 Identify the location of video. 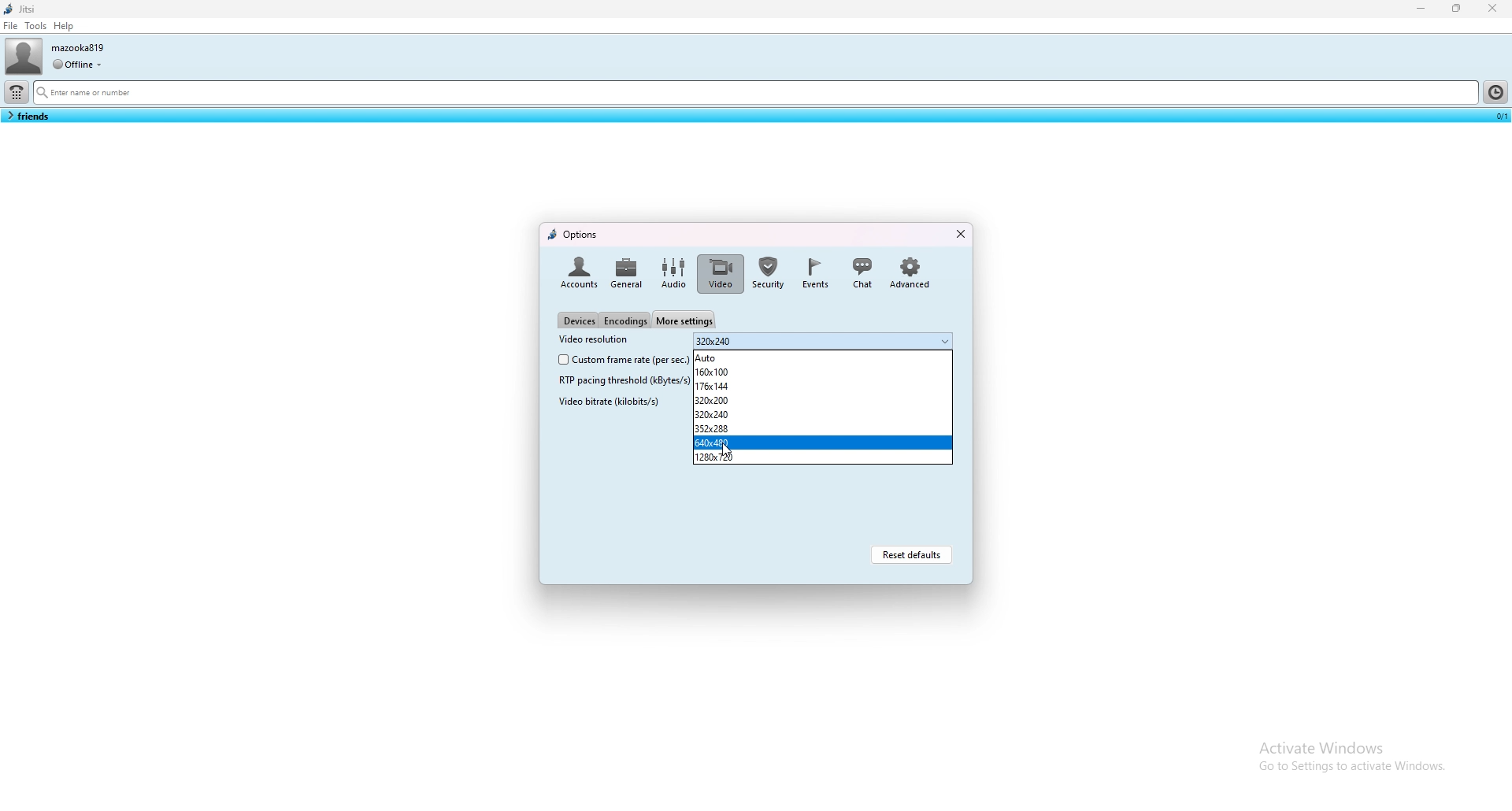
(721, 273).